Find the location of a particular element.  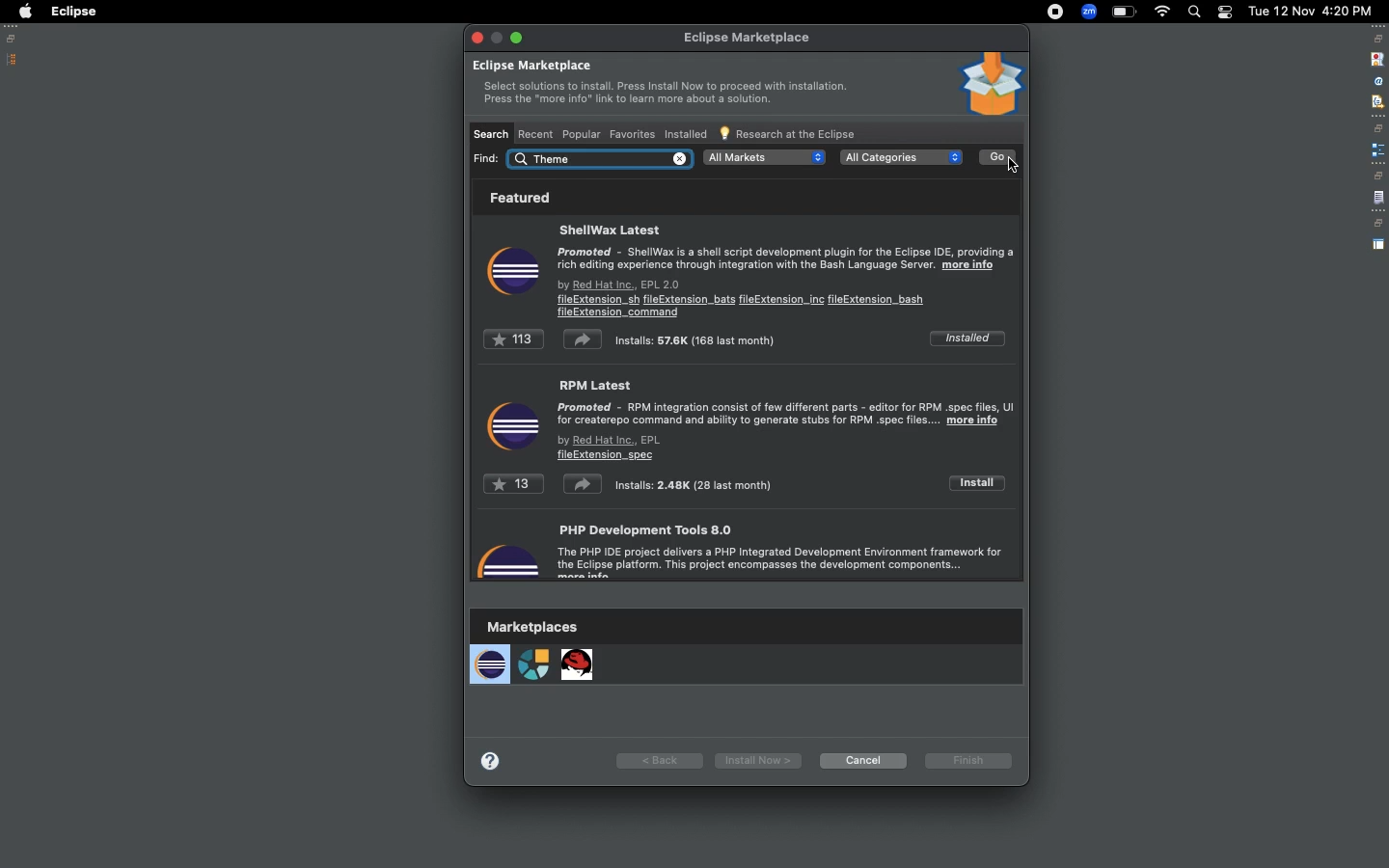

Apple logo is located at coordinates (24, 12).